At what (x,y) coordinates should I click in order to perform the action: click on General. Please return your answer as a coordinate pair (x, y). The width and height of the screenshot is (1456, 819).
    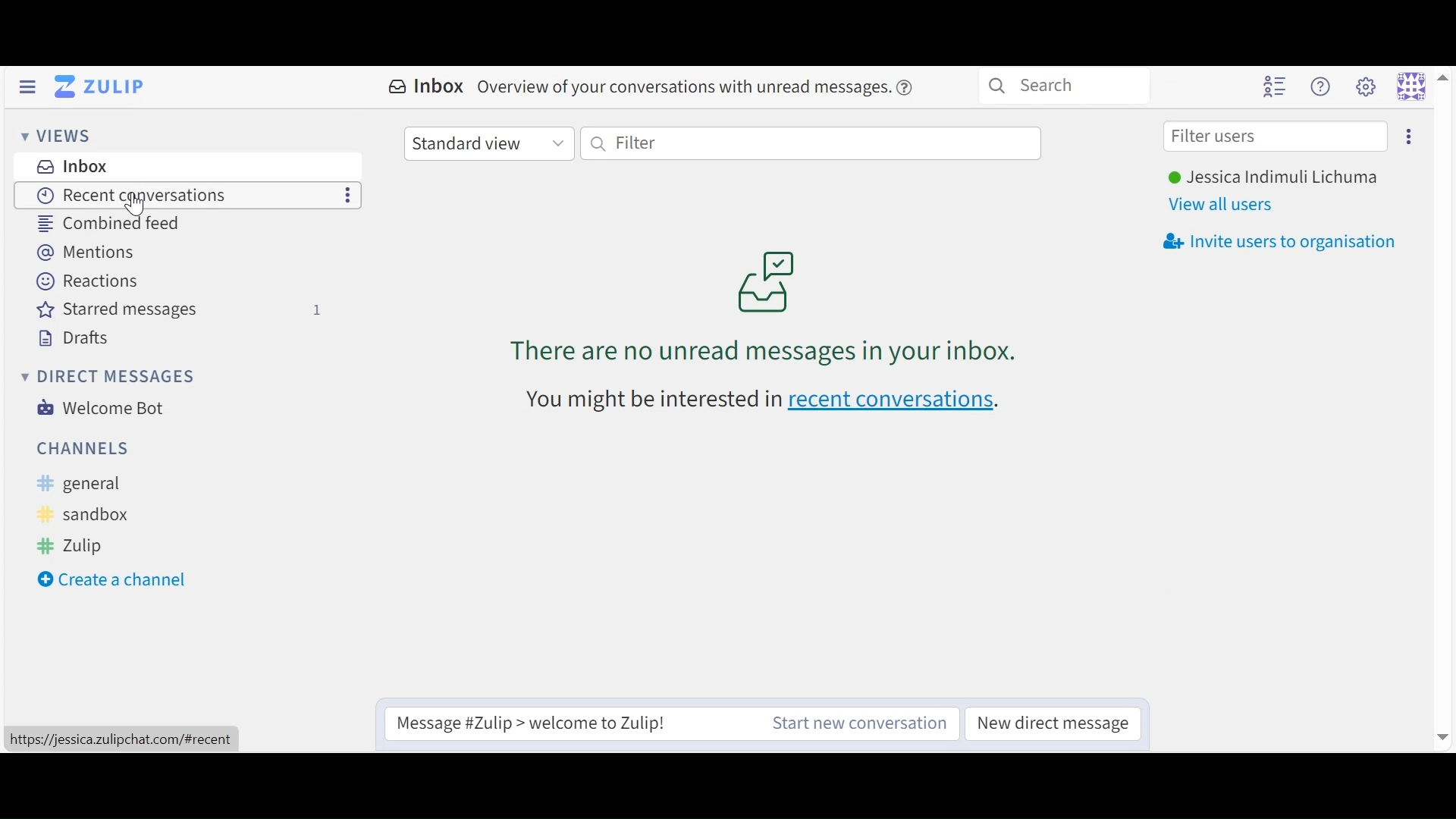
    Looking at the image, I should click on (80, 484).